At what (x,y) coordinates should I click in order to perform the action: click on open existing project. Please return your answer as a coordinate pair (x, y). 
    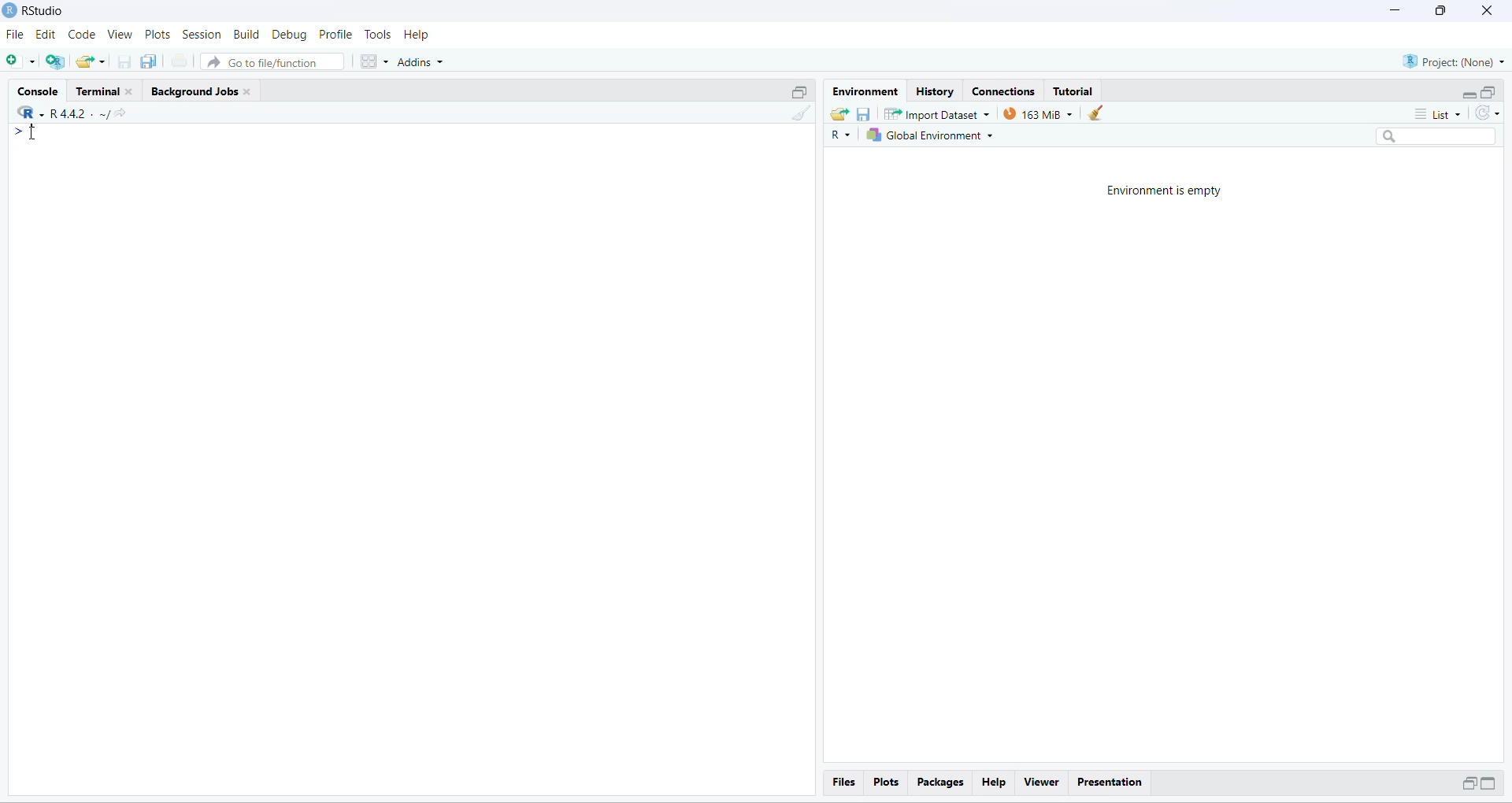
    Looking at the image, I should click on (91, 61).